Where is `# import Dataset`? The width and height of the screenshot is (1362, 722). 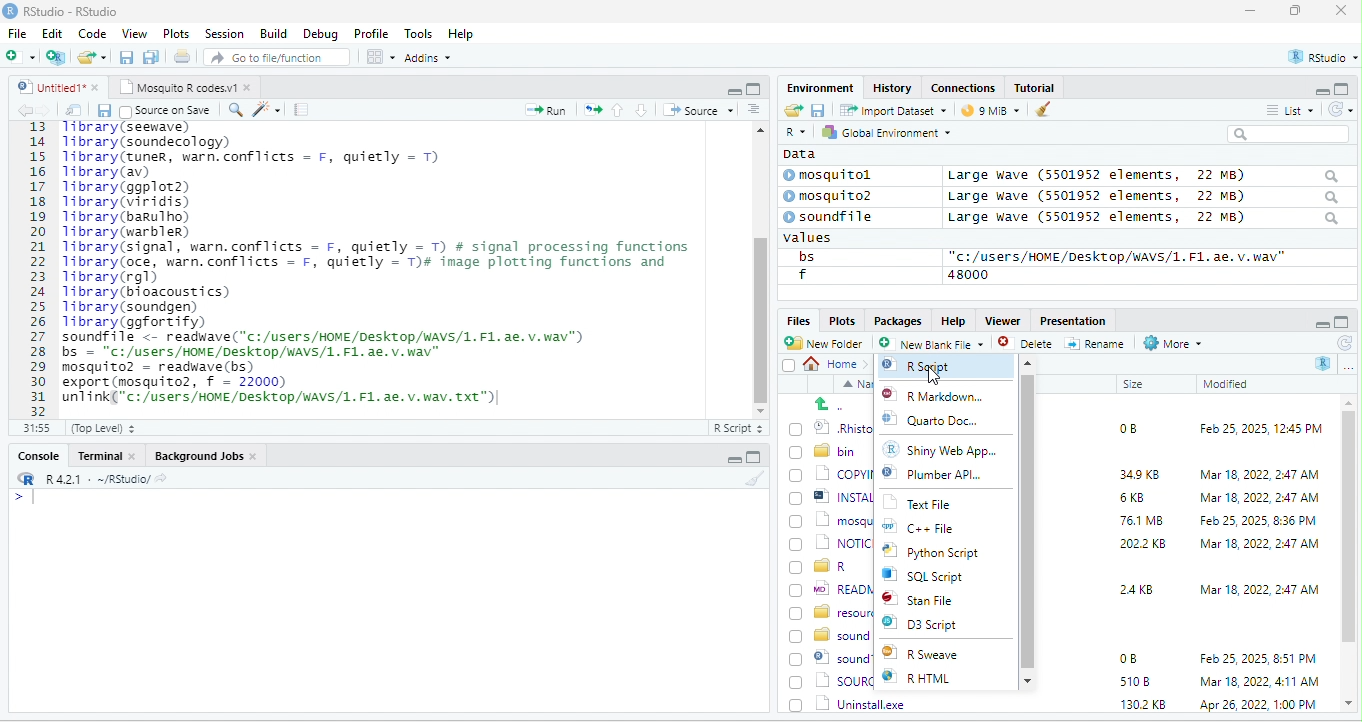
# import Dataset is located at coordinates (891, 109).